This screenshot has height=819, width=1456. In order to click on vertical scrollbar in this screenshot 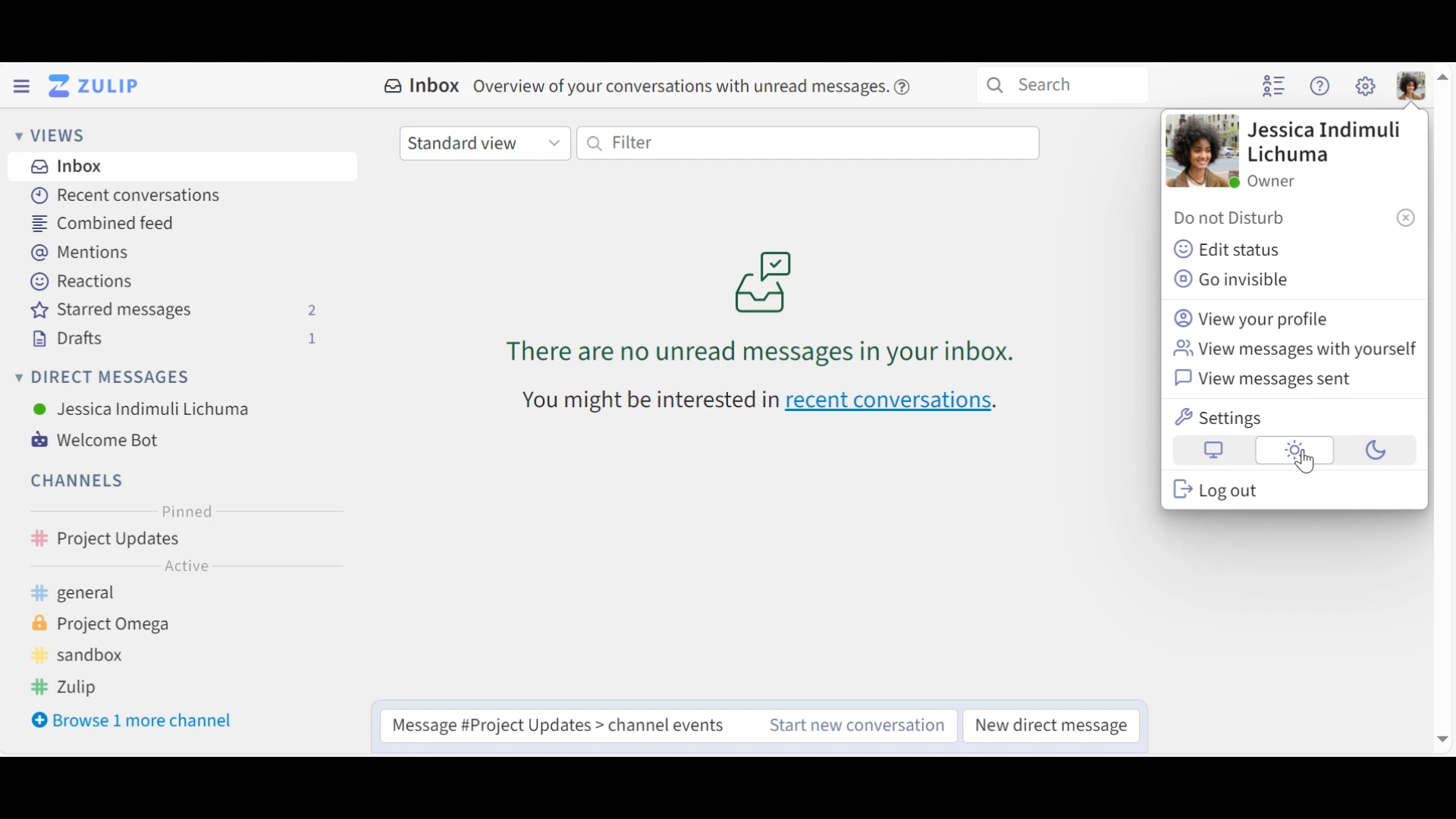, I will do `click(1443, 409)`.